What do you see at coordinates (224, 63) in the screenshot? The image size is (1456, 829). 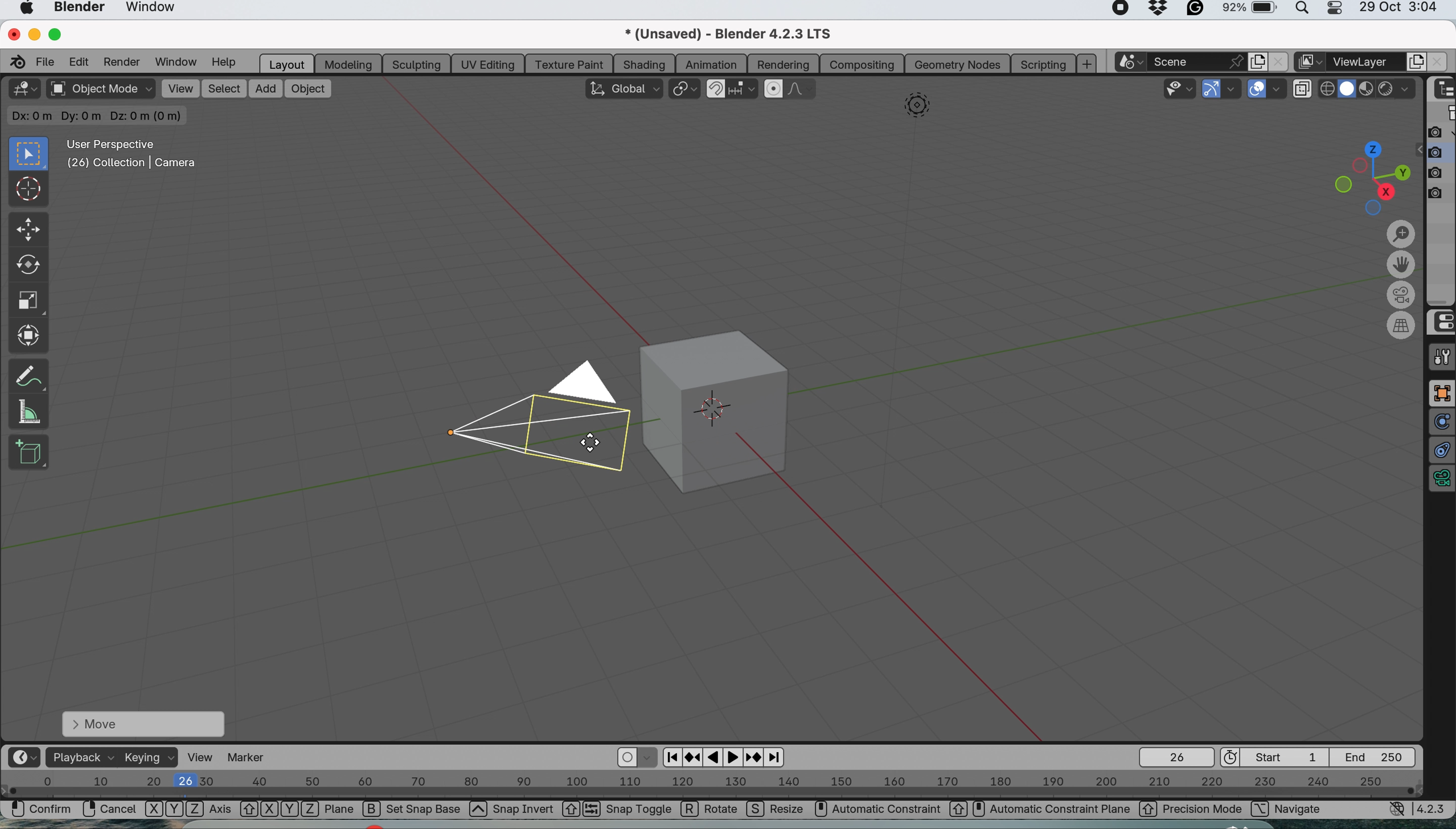 I see `help` at bounding box center [224, 63].